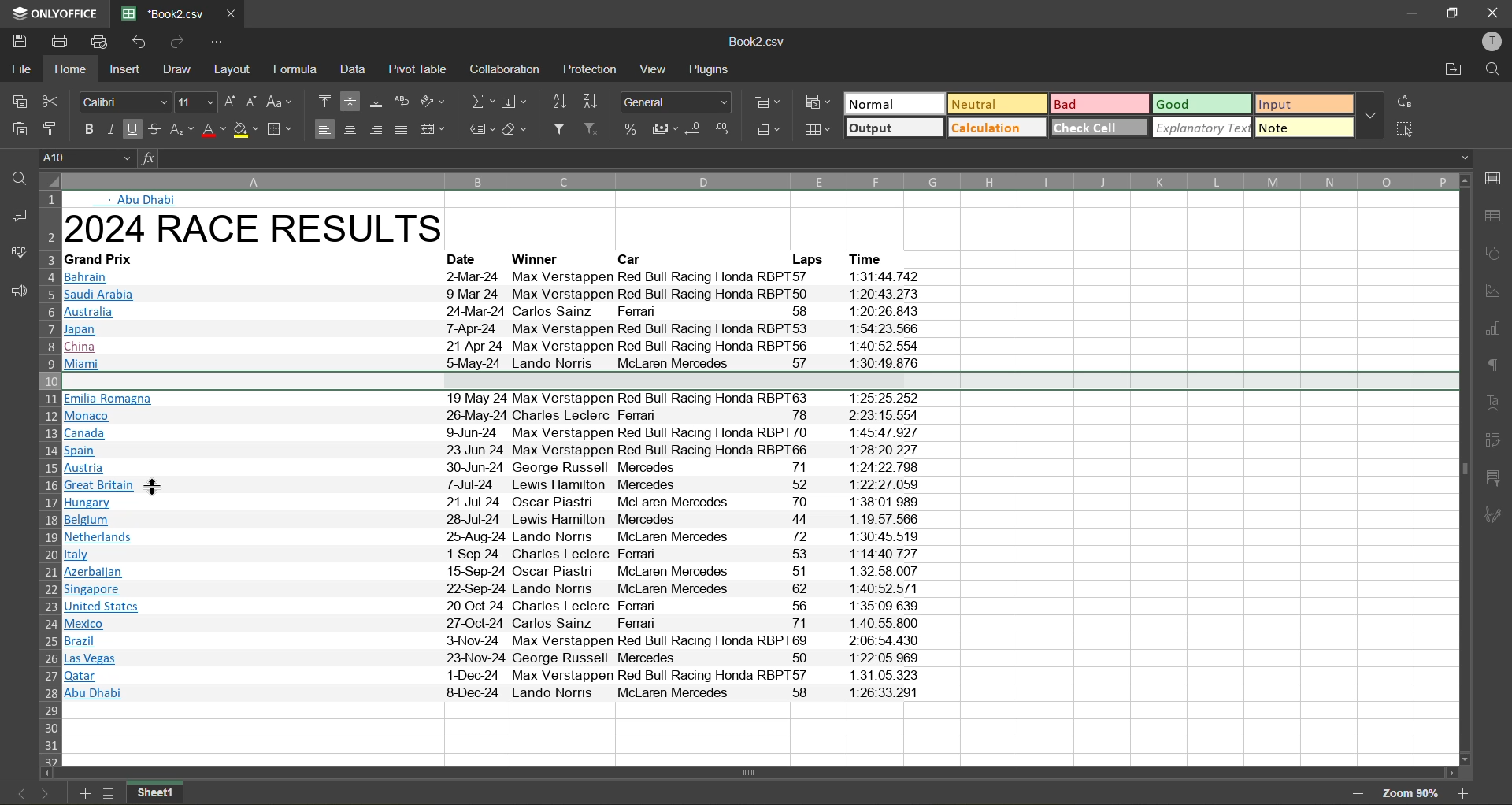 Image resolution: width=1512 pixels, height=805 pixels. I want to click on vertical scrollbar, so click(1464, 471).